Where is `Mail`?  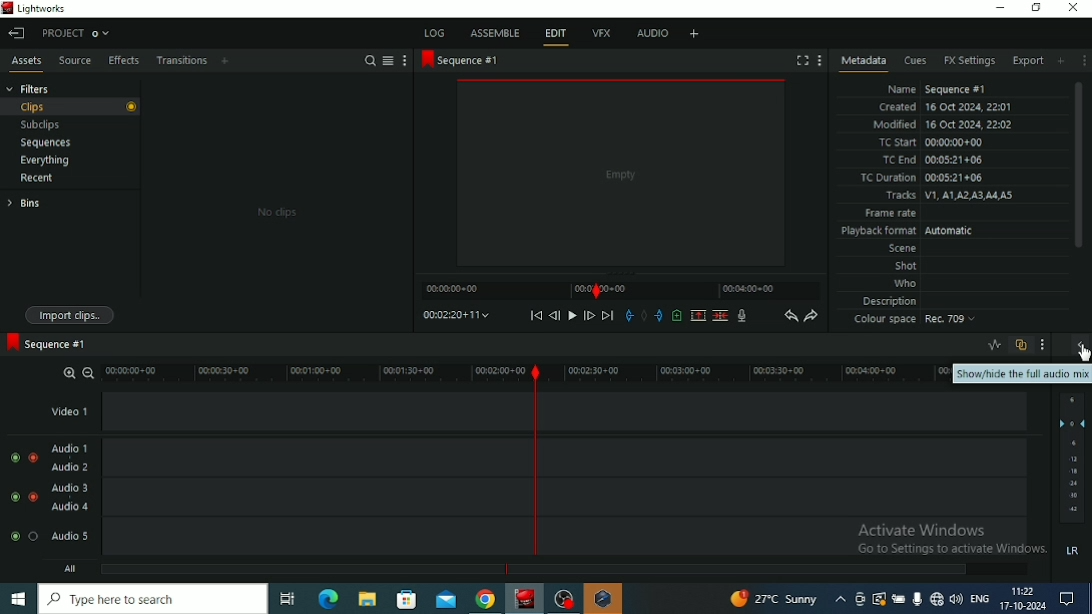 Mail is located at coordinates (446, 599).